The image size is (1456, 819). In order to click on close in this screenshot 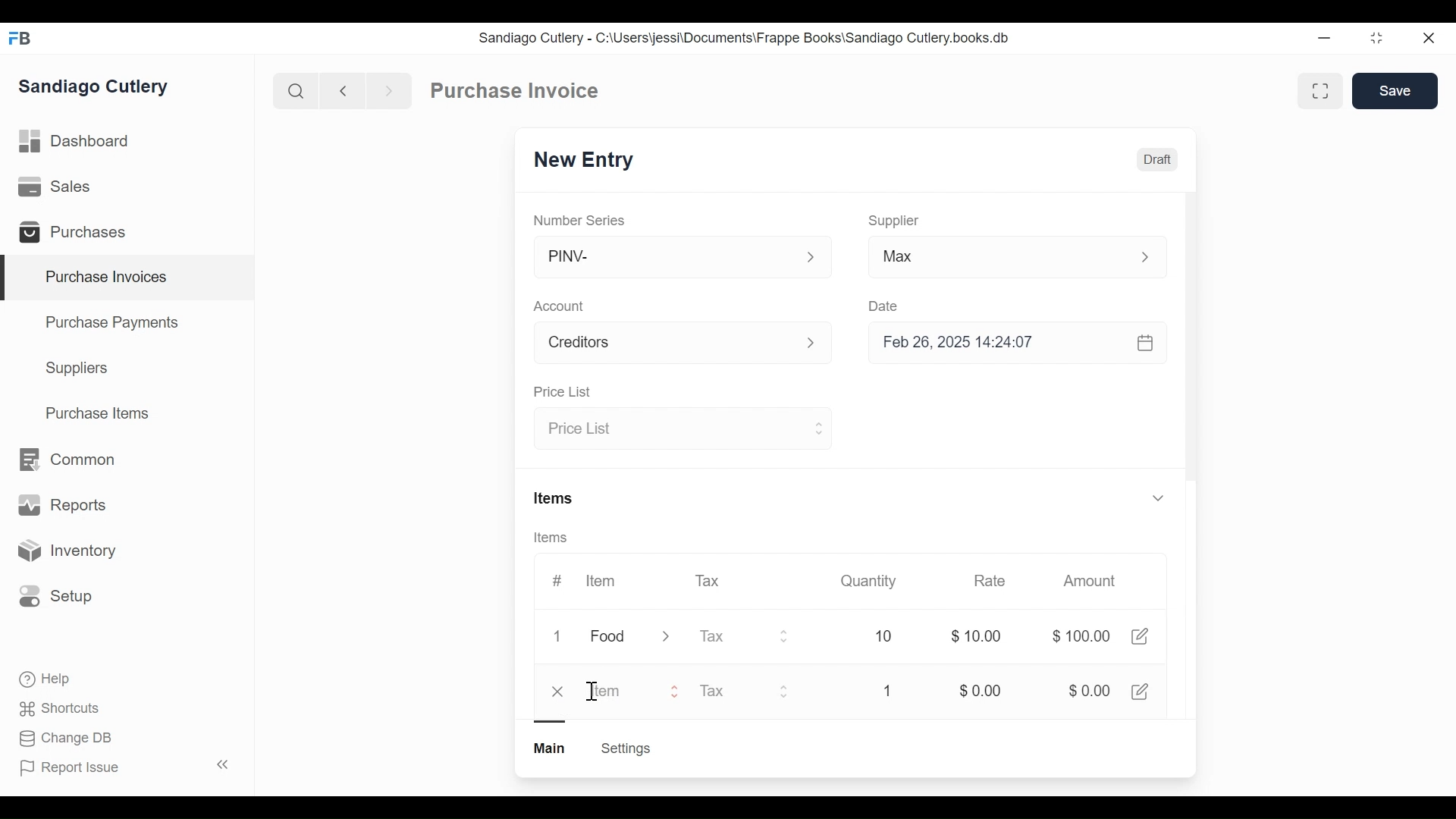, I will do `click(1427, 39)`.